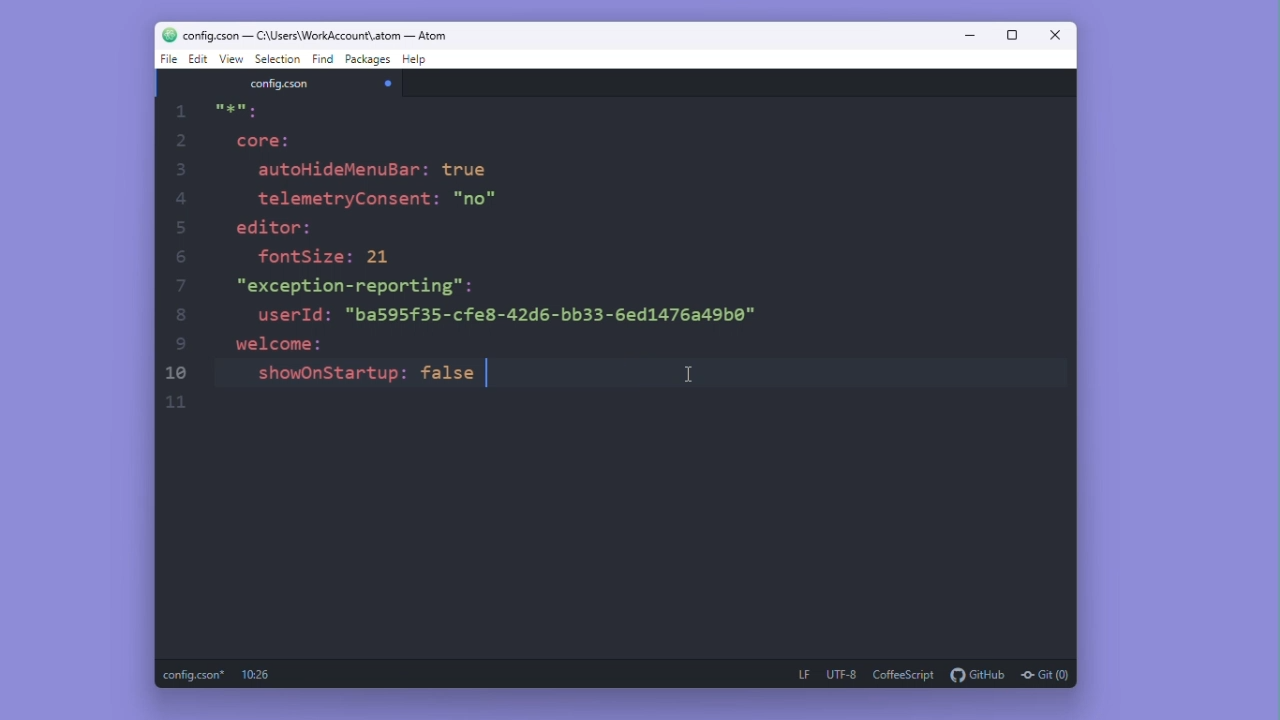  I want to click on Close, so click(1058, 38).